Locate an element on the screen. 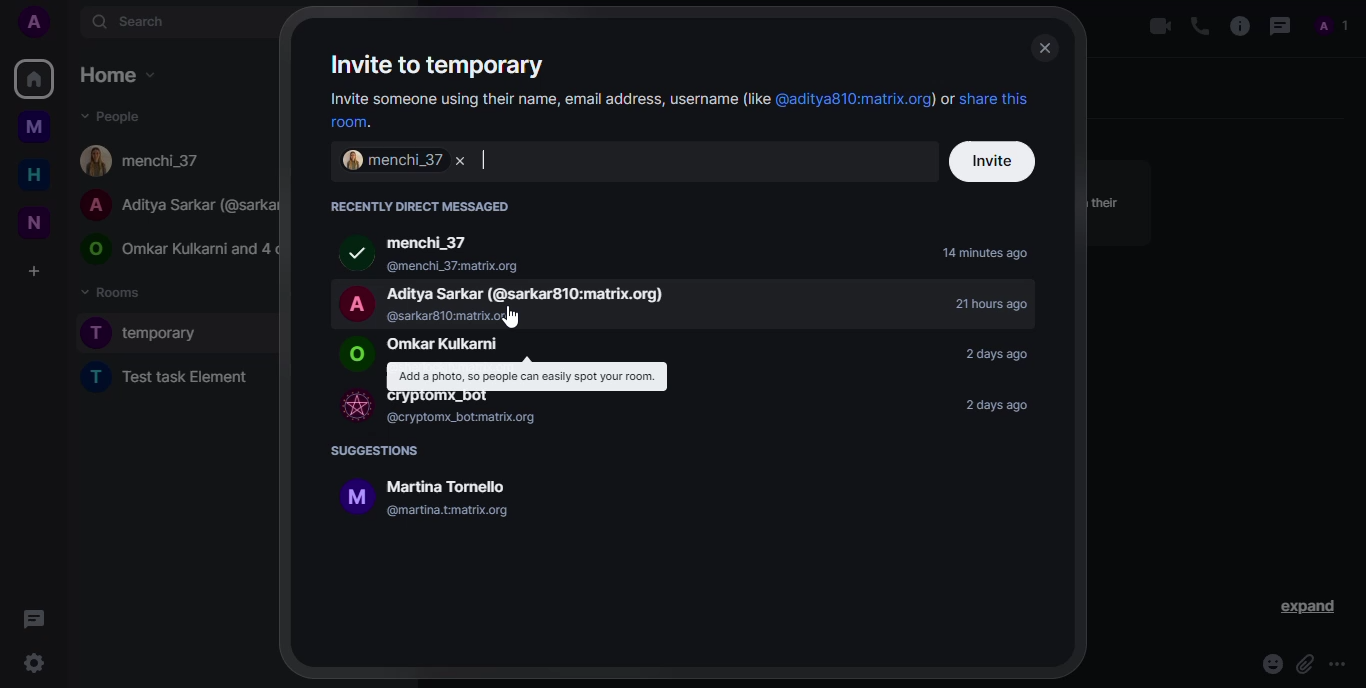 This screenshot has width=1366, height=688. profile is located at coordinates (33, 21).